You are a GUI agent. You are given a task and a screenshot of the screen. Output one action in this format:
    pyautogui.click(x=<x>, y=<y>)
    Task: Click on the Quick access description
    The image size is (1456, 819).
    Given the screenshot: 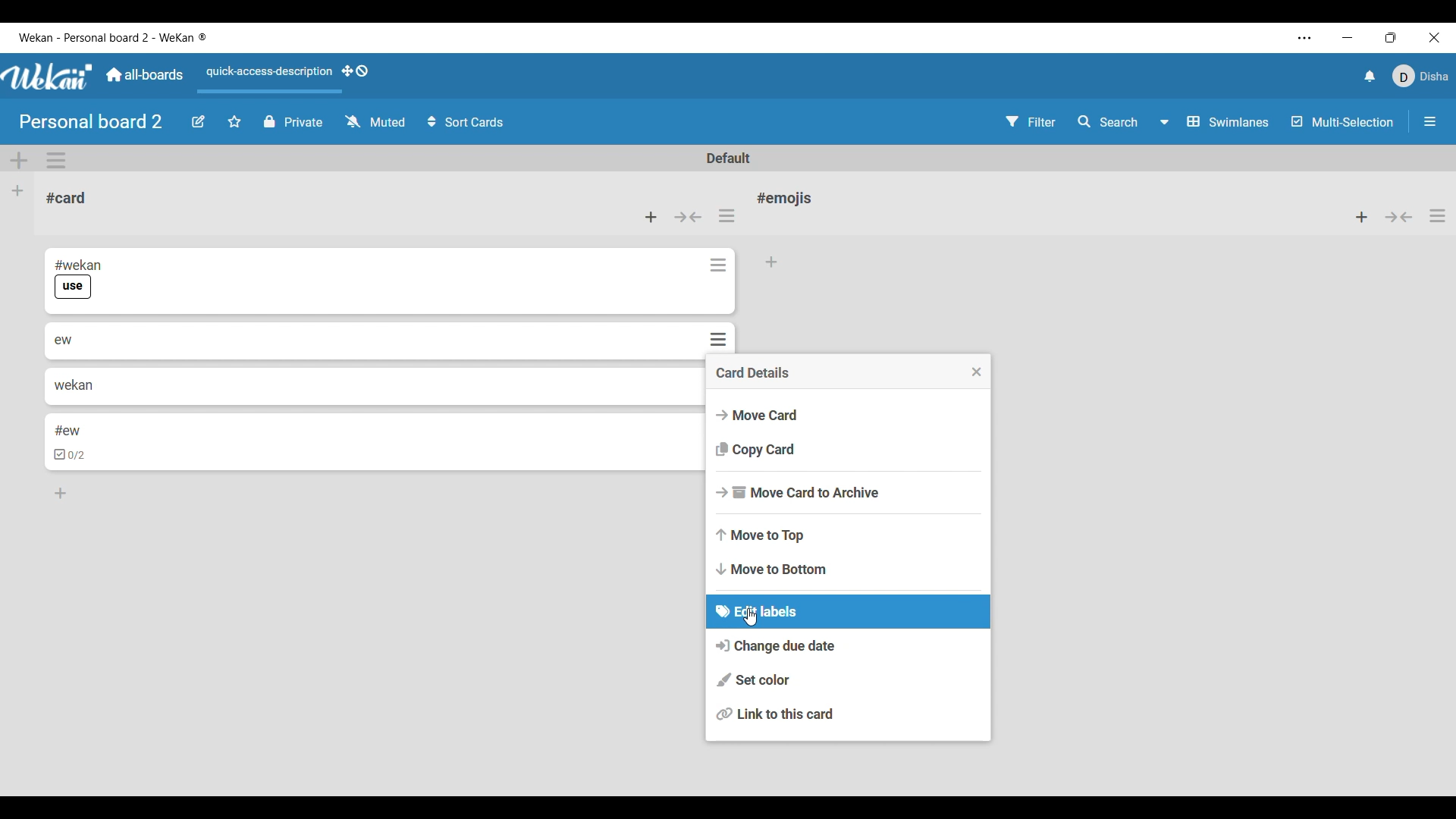 What is the action you would take?
    pyautogui.click(x=267, y=72)
    